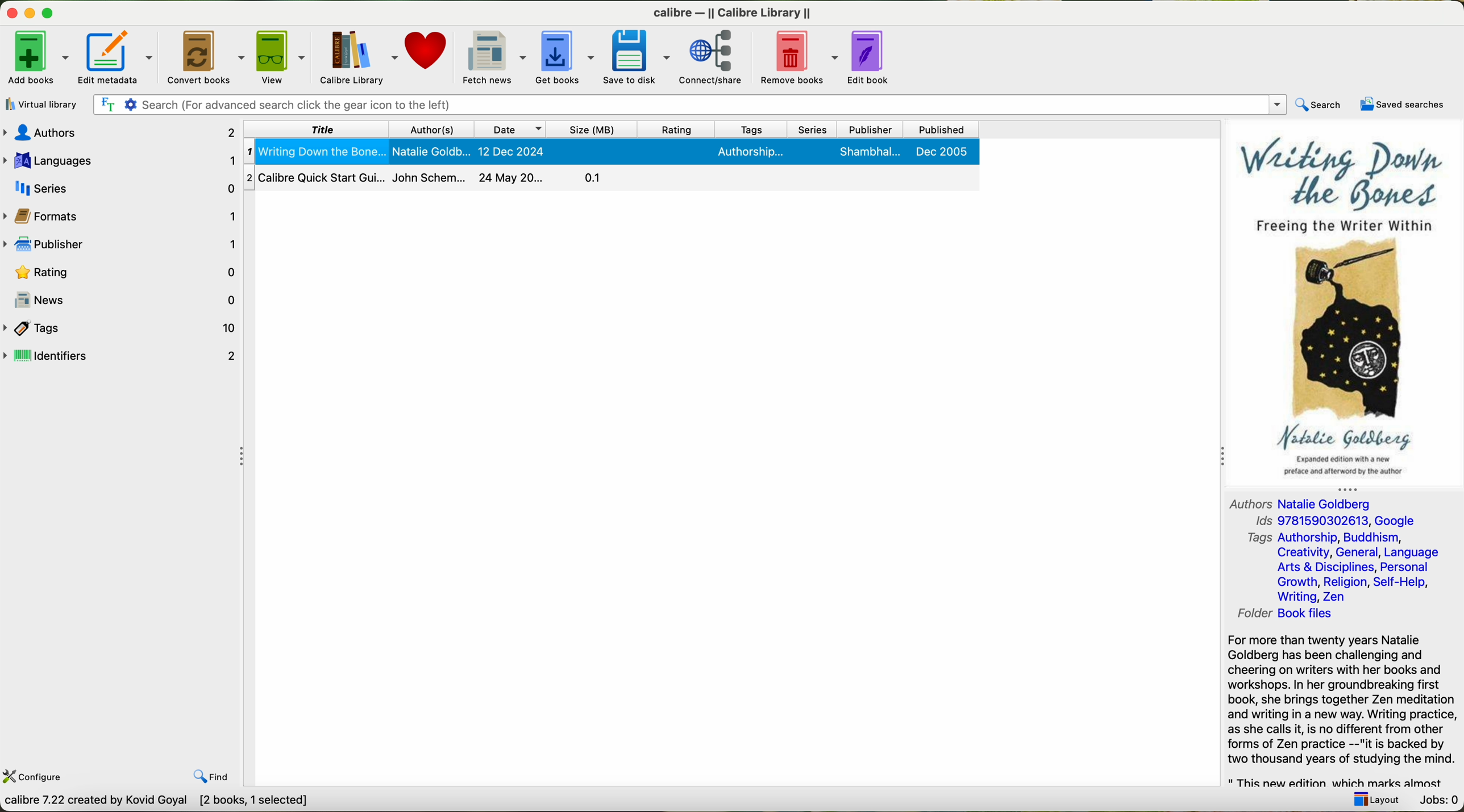 Image resolution: width=1464 pixels, height=812 pixels. I want to click on add books from a single folder, so click(45, 101).